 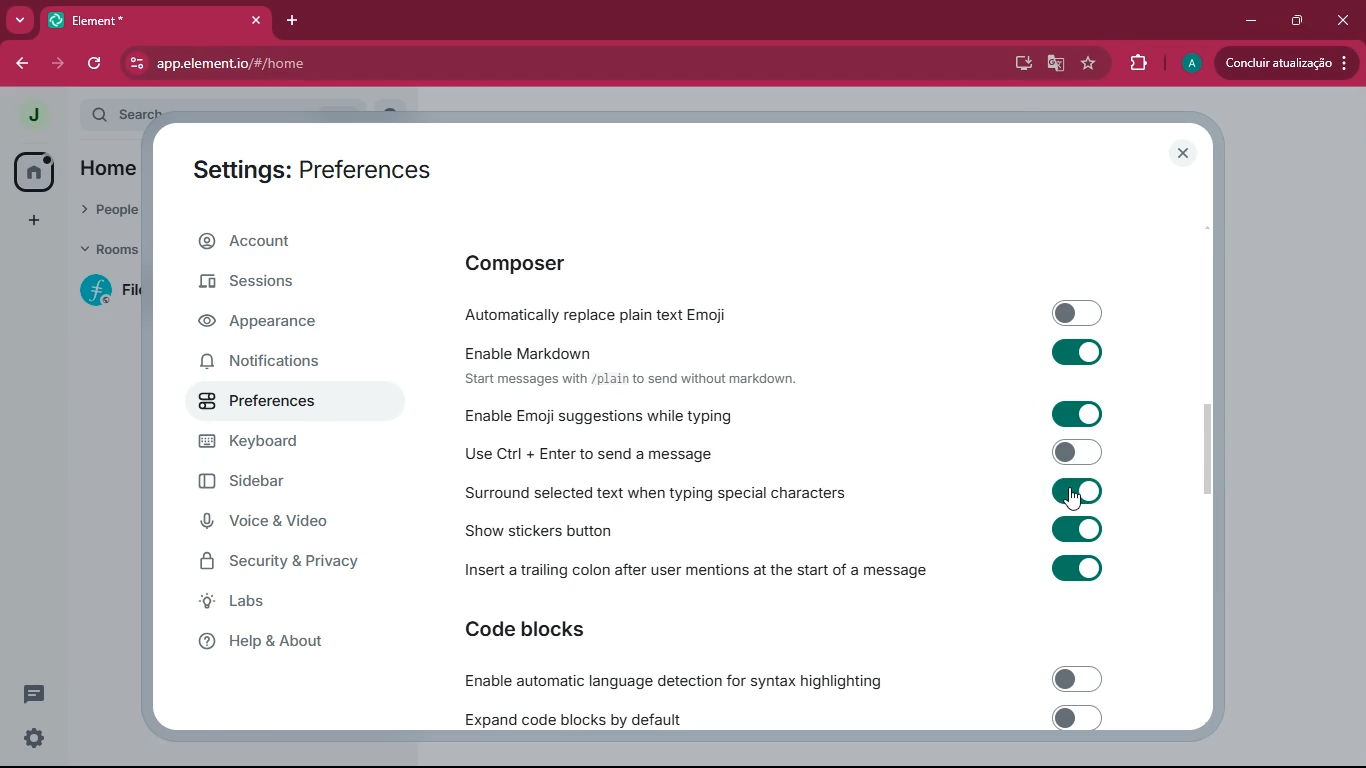 What do you see at coordinates (1015, 62) in the screenshot?
I see `desktop` at bounding box center [1015, 62].